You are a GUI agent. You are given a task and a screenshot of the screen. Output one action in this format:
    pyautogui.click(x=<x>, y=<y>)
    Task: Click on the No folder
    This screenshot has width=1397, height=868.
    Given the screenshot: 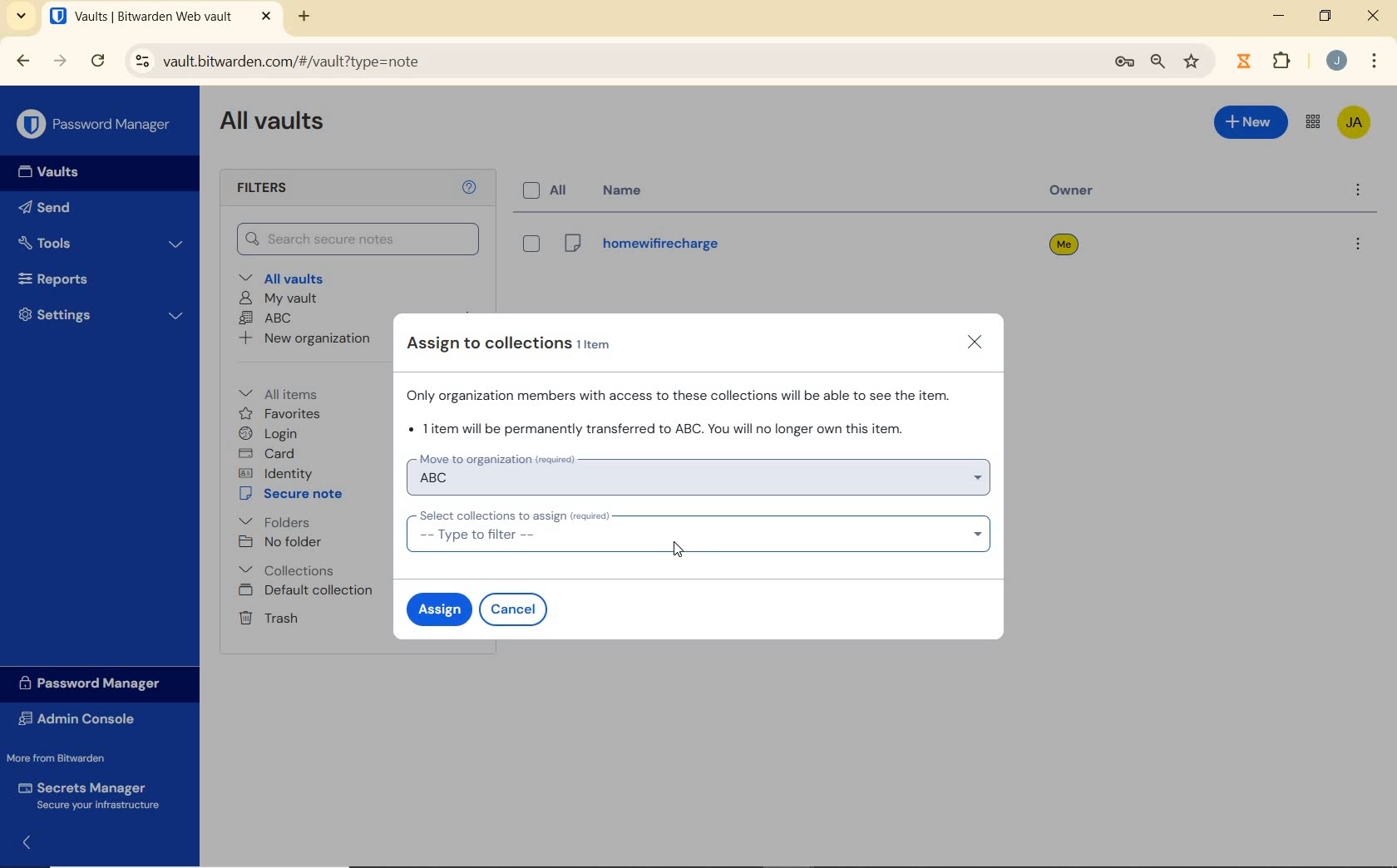 What is the action you would take?
    pyautogui.click(x=280, y=542)
    